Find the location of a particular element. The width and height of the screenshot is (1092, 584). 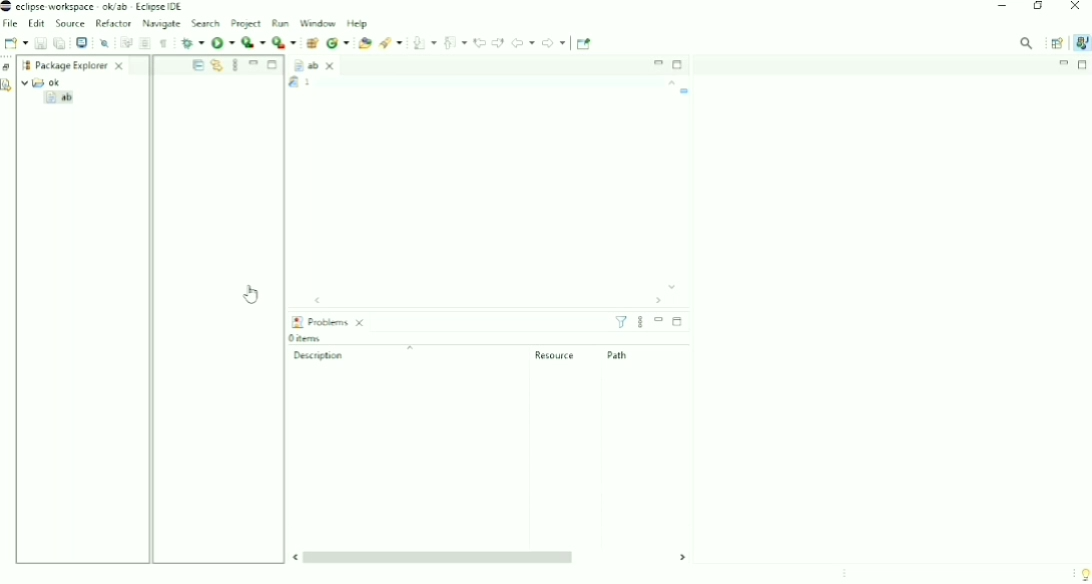

Project is located at coordinates (245, 23).